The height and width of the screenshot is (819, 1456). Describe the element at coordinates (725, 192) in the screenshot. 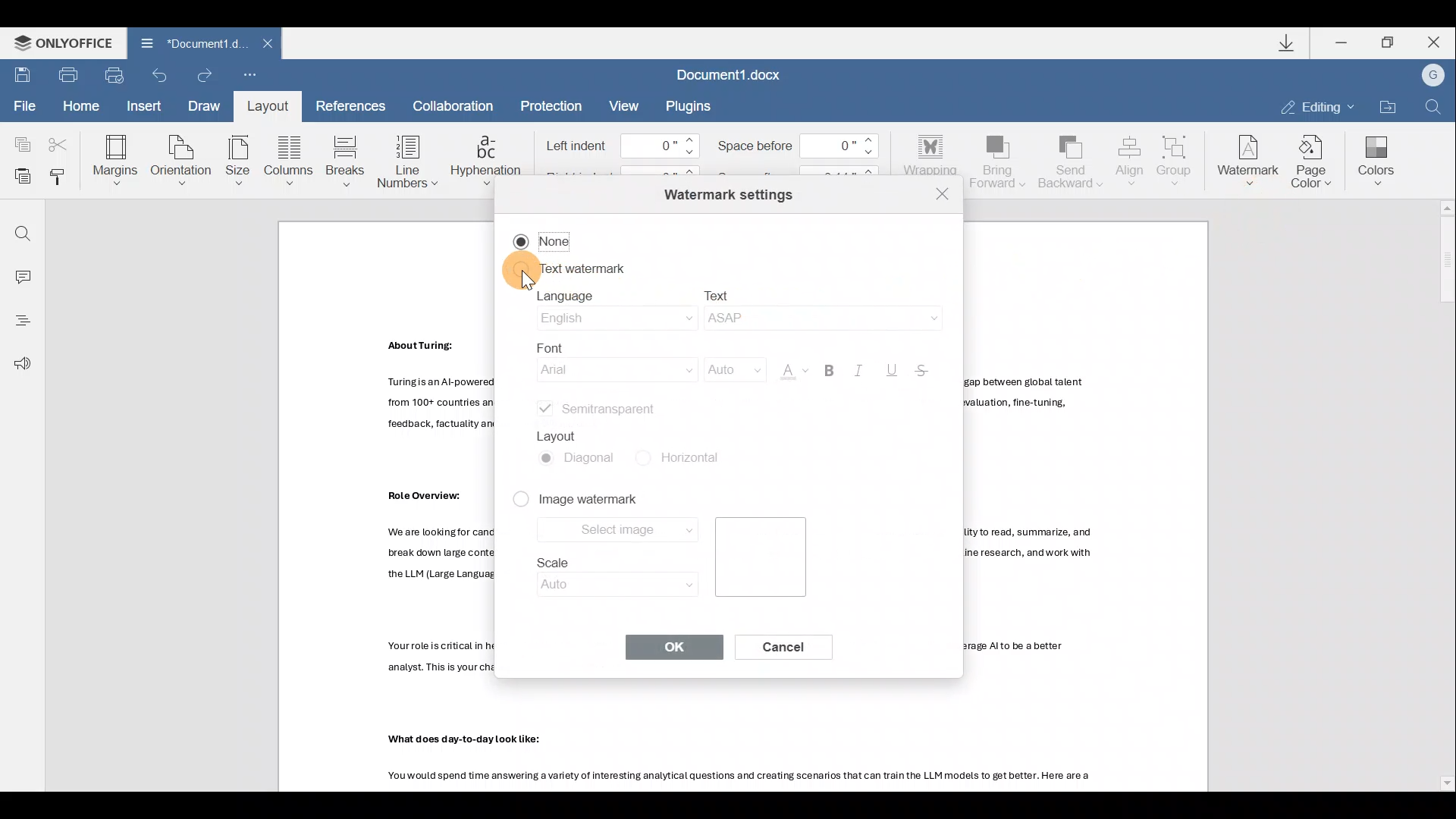

I see `Watermark settings` at that location.